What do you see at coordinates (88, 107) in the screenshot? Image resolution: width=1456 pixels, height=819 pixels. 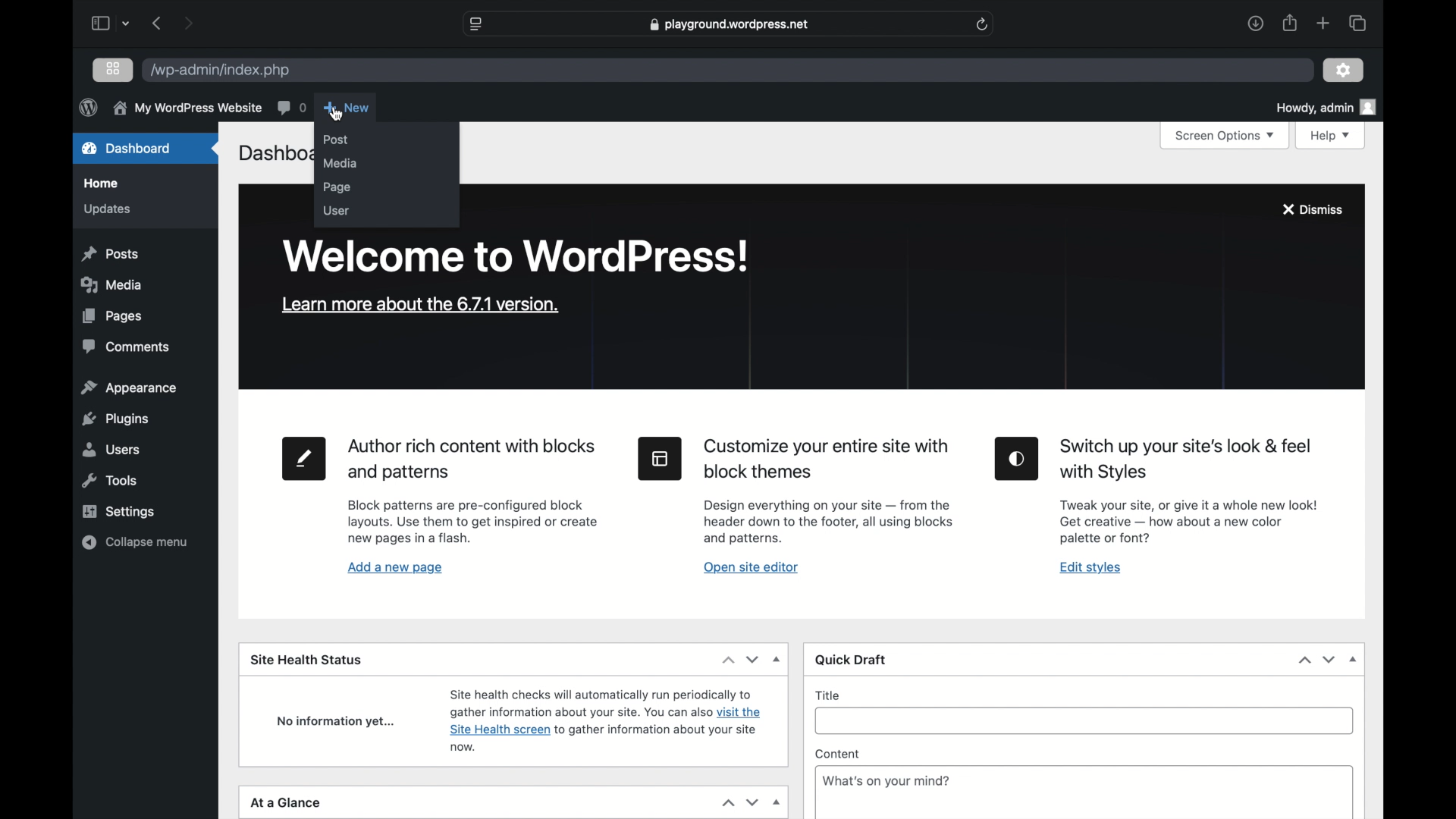 I see `wordpress` at bounding box center [88, 107].